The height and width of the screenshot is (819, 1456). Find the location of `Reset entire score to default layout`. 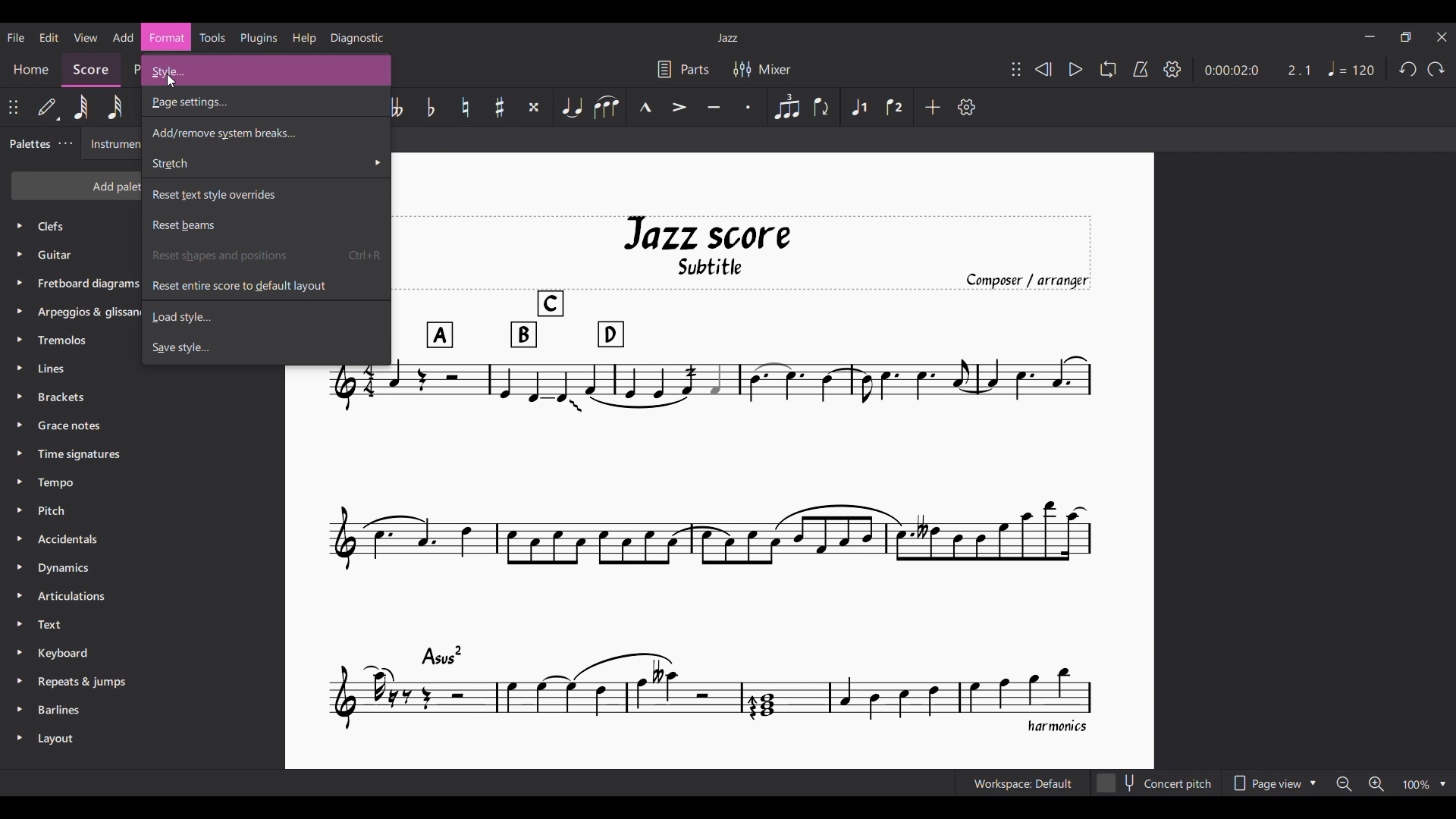

Reset entire score to default layout is located at coordinates (238, 284).